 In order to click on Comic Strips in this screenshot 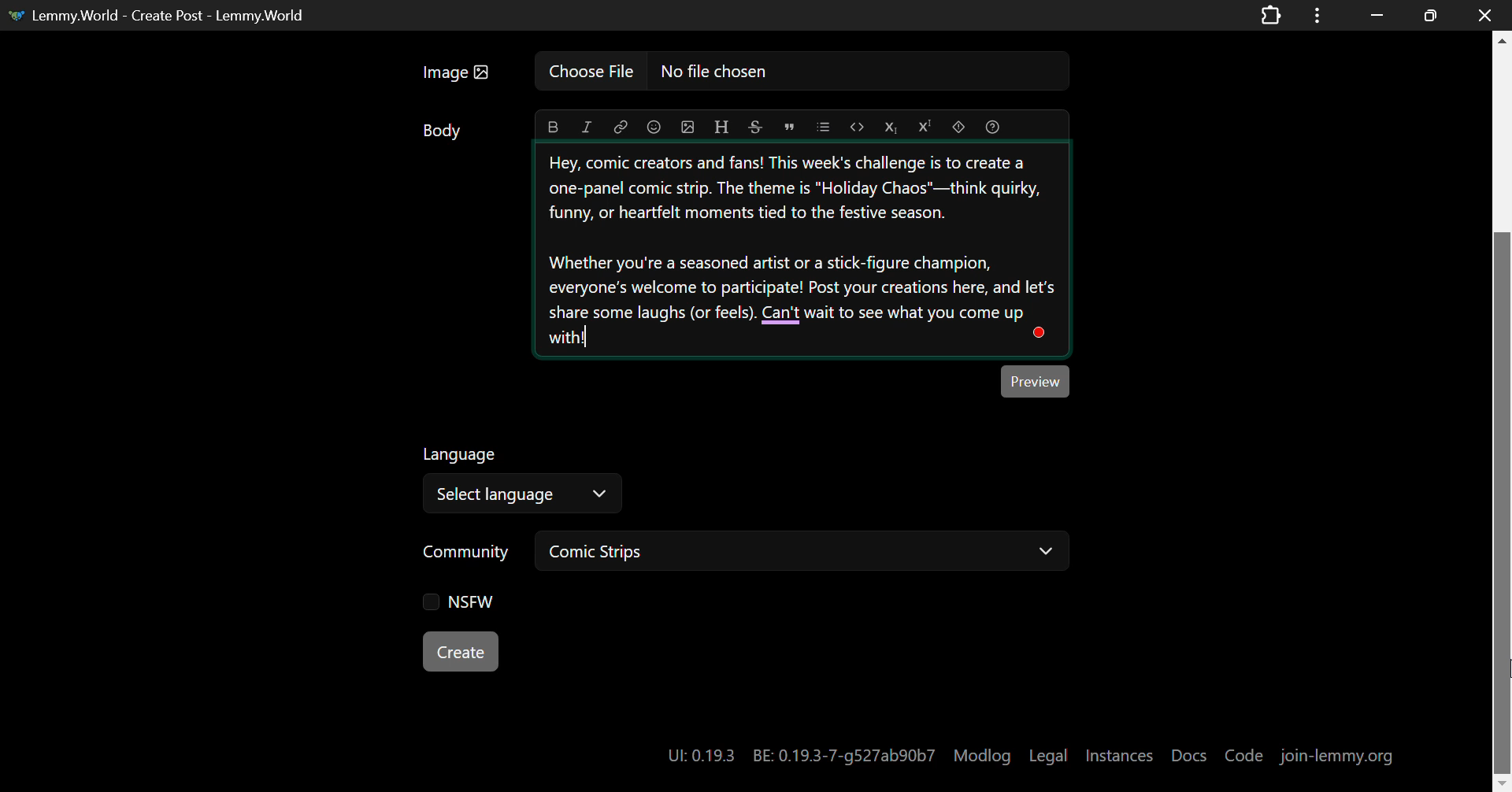, I will do `click(806, 551)`.